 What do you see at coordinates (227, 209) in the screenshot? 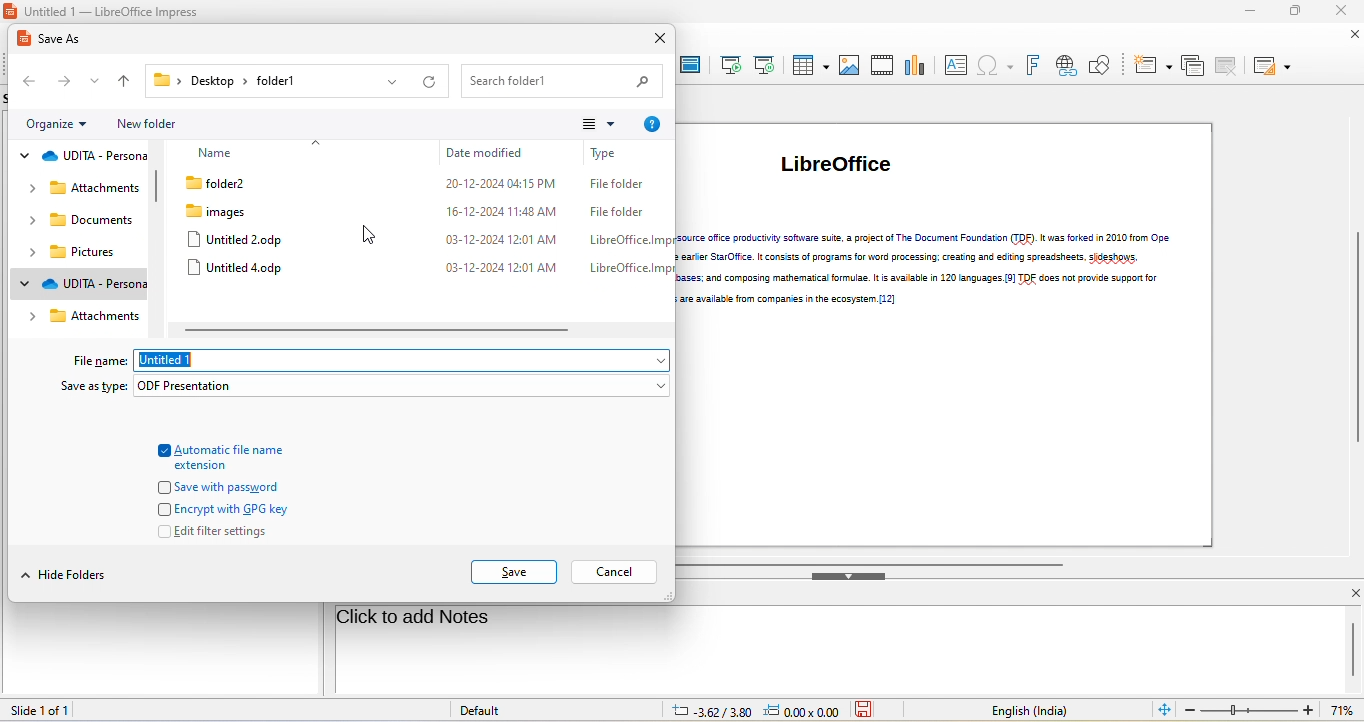
I see `images` at bounding box center [227, 209].